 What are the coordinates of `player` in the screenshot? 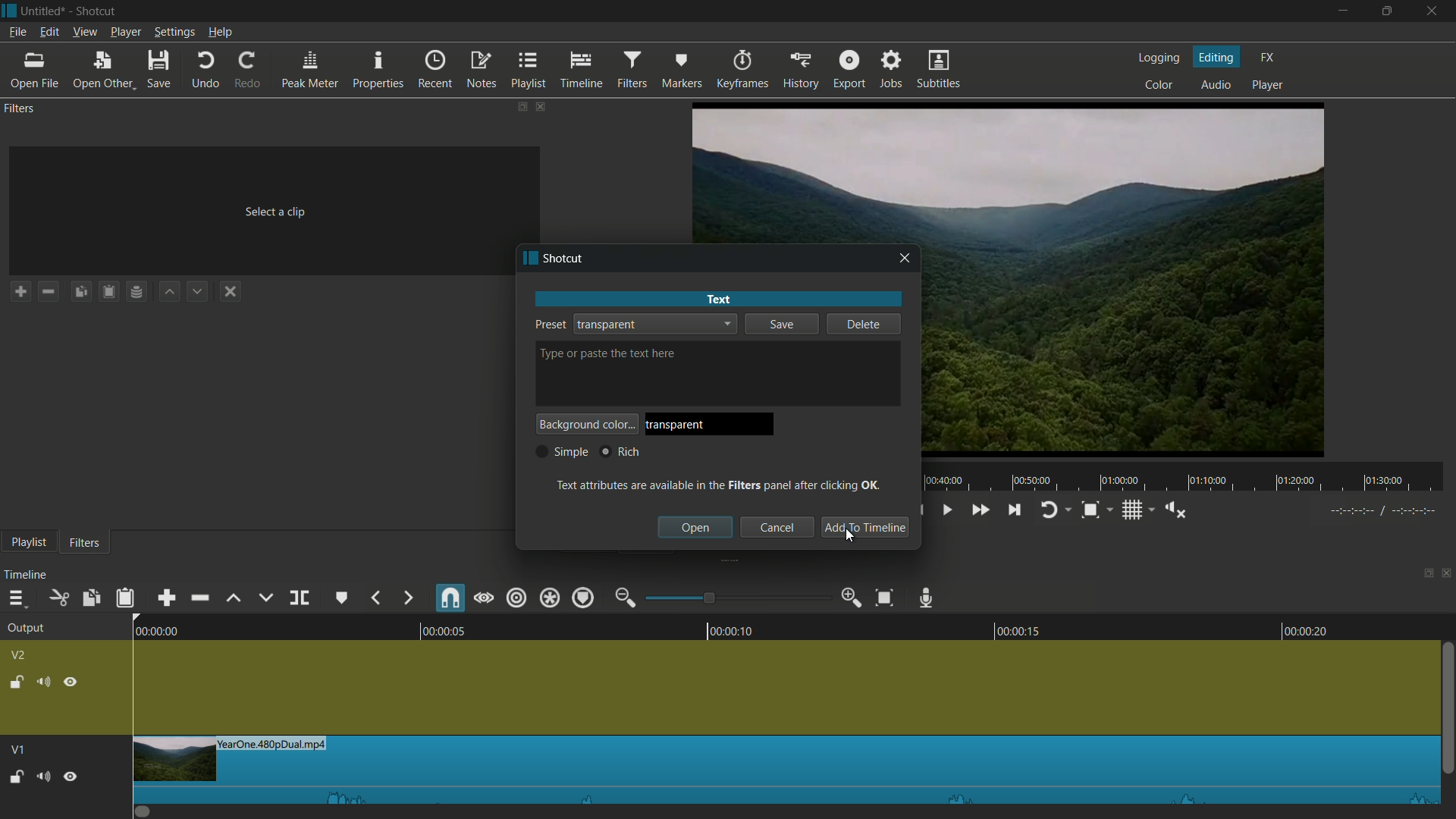 It's located at (1268, 86).